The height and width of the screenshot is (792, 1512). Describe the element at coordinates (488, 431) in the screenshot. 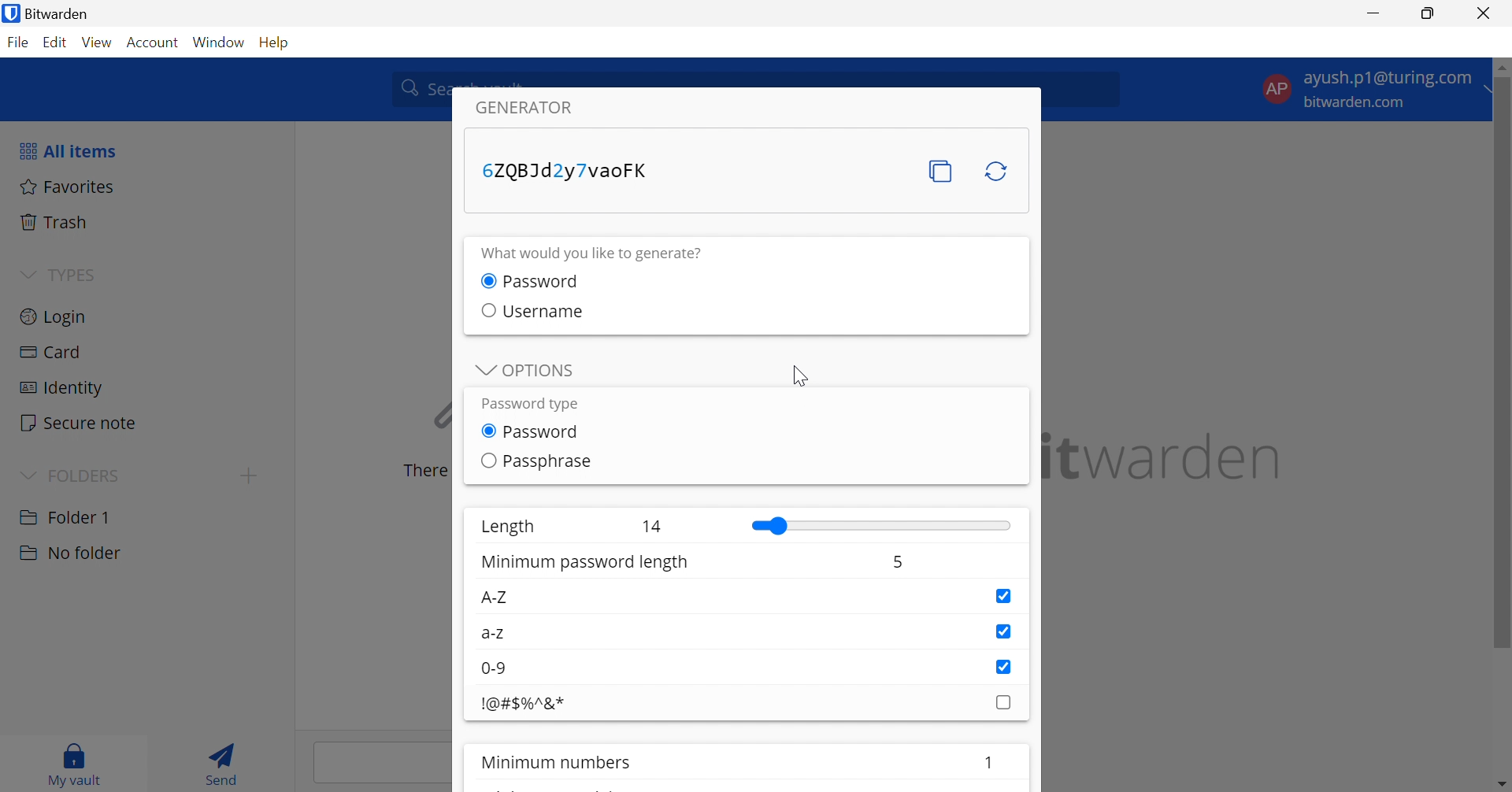

I see `Checkbox` at that location.